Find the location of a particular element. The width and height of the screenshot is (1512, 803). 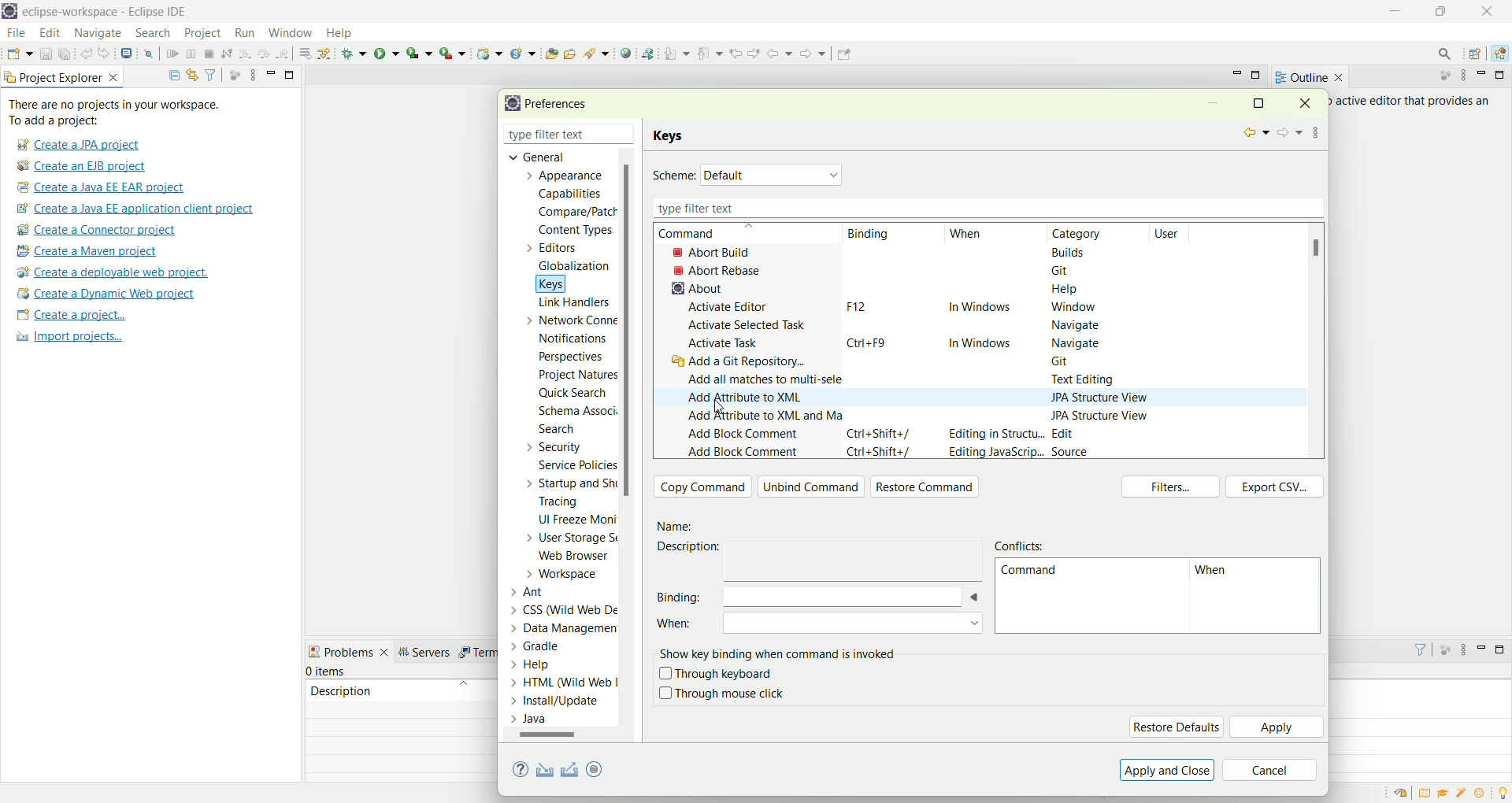

focus on active task is located at coordinates (1444, 649).